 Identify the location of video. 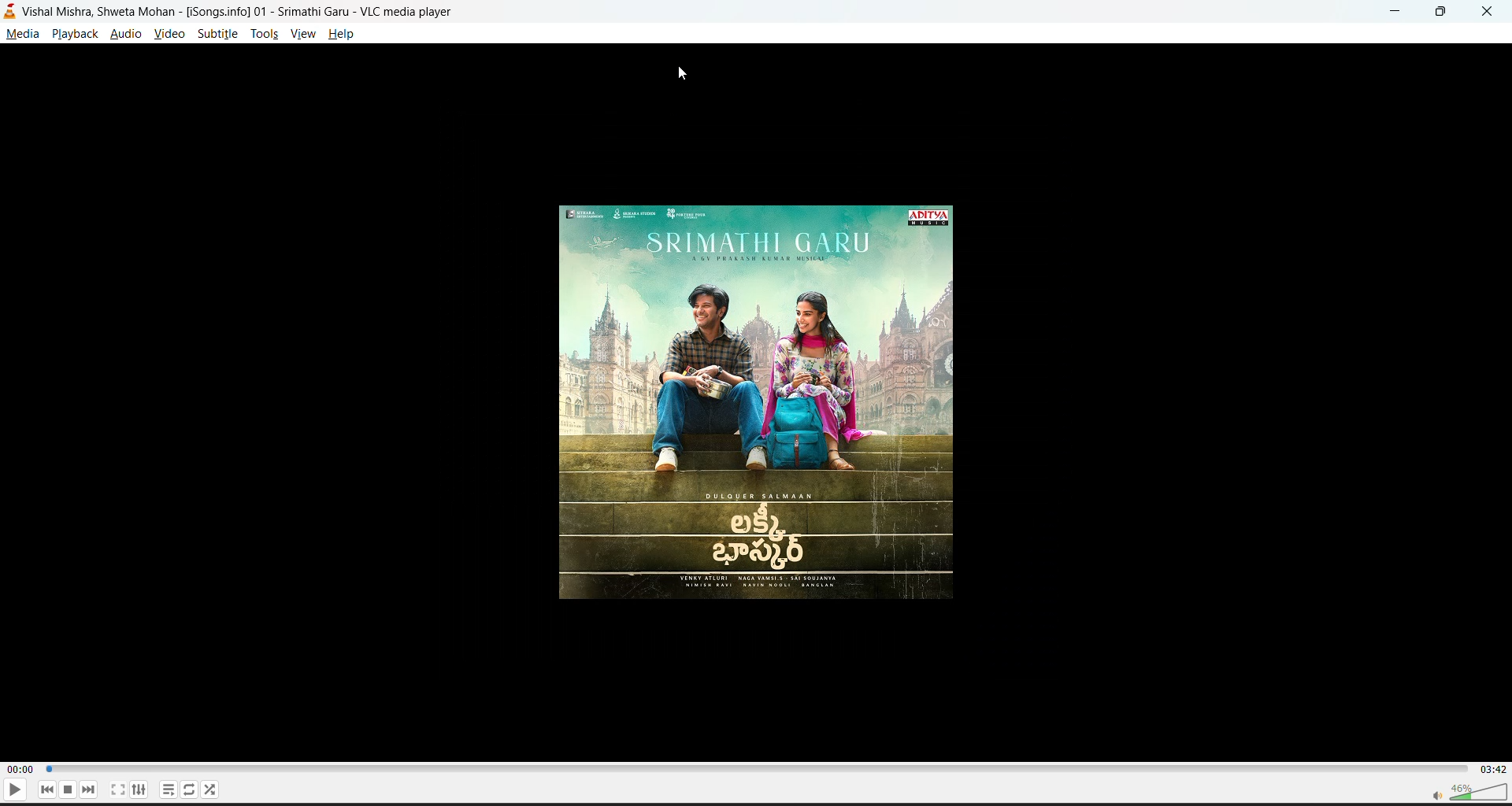
(165, 35).